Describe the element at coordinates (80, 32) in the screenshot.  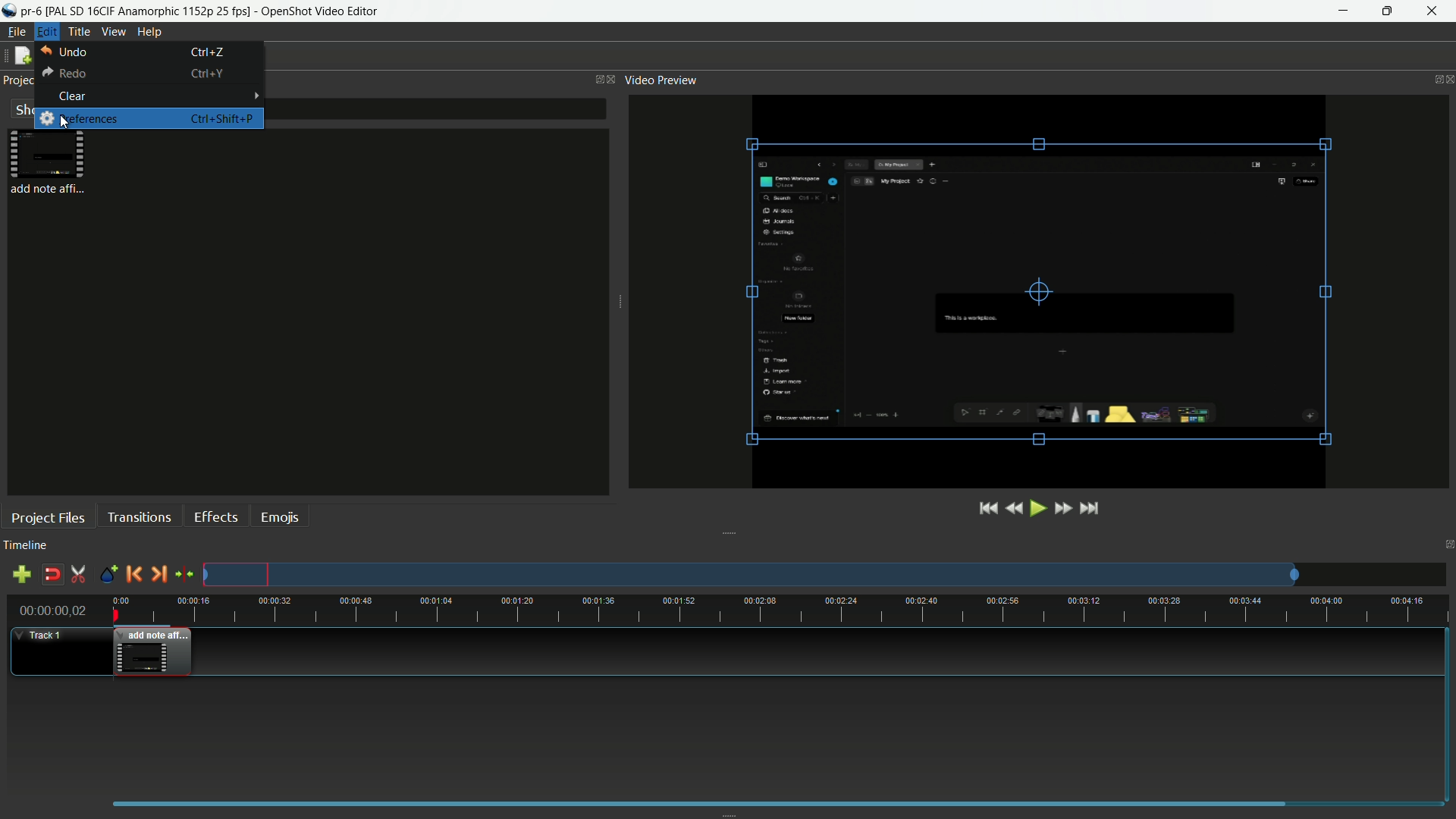
I see `Title` at that location.